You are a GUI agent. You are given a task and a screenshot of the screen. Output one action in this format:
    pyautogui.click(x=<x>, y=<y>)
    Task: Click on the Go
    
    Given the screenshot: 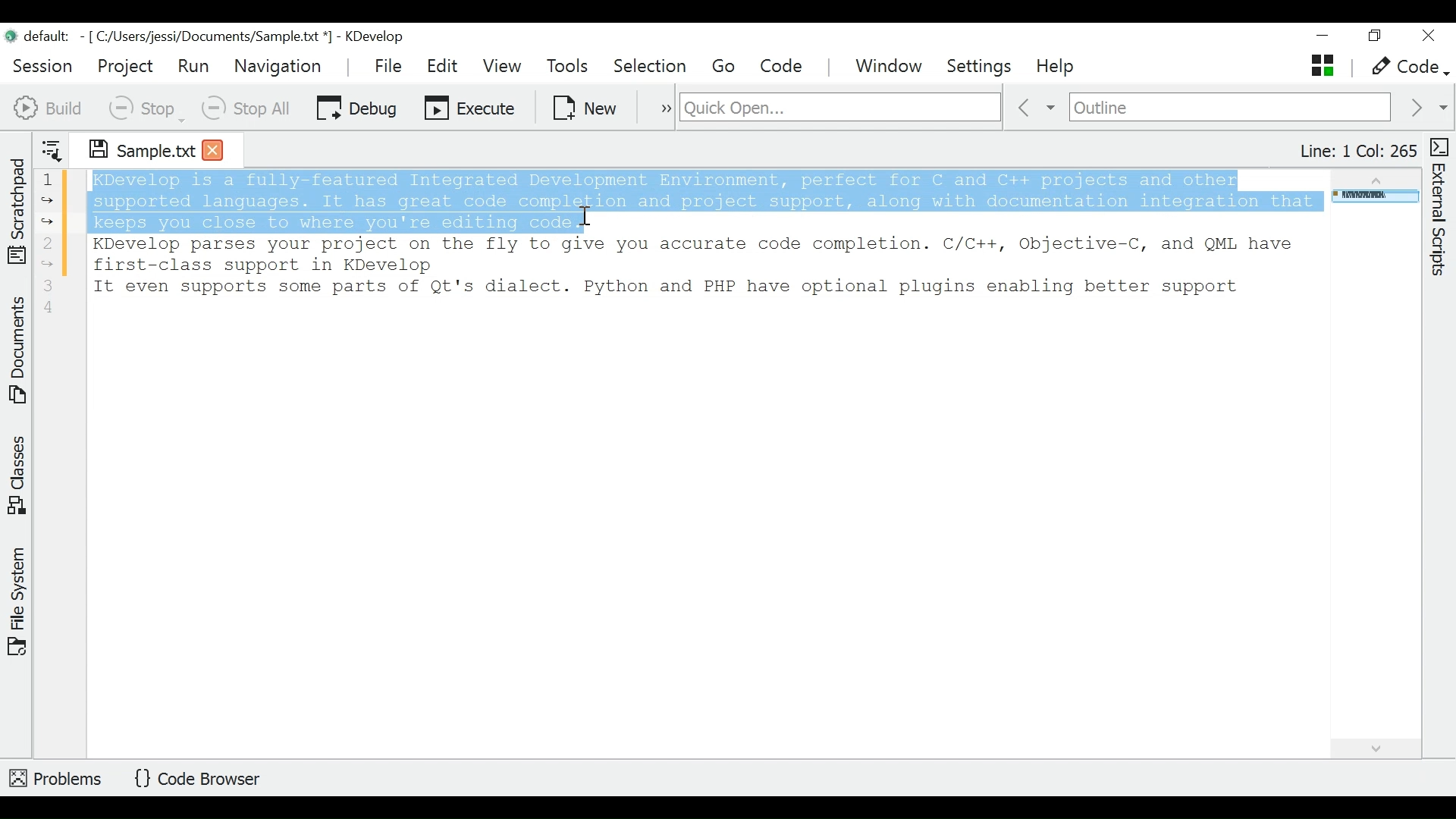 What is the action you would take?
    pyautogui.click(x=726, y=67)
    